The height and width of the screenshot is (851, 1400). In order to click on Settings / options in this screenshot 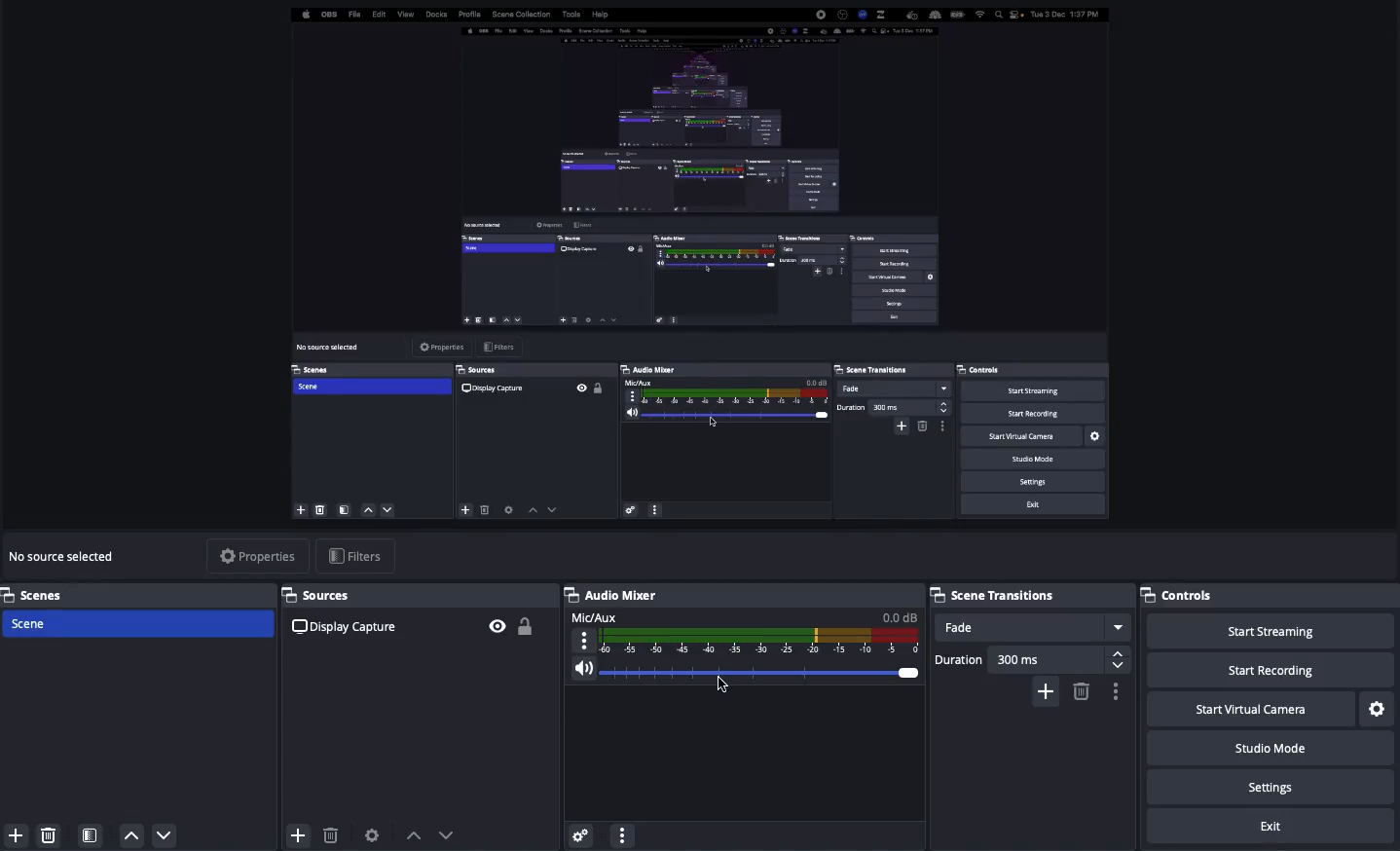, I will do `click(1117, 692)`.